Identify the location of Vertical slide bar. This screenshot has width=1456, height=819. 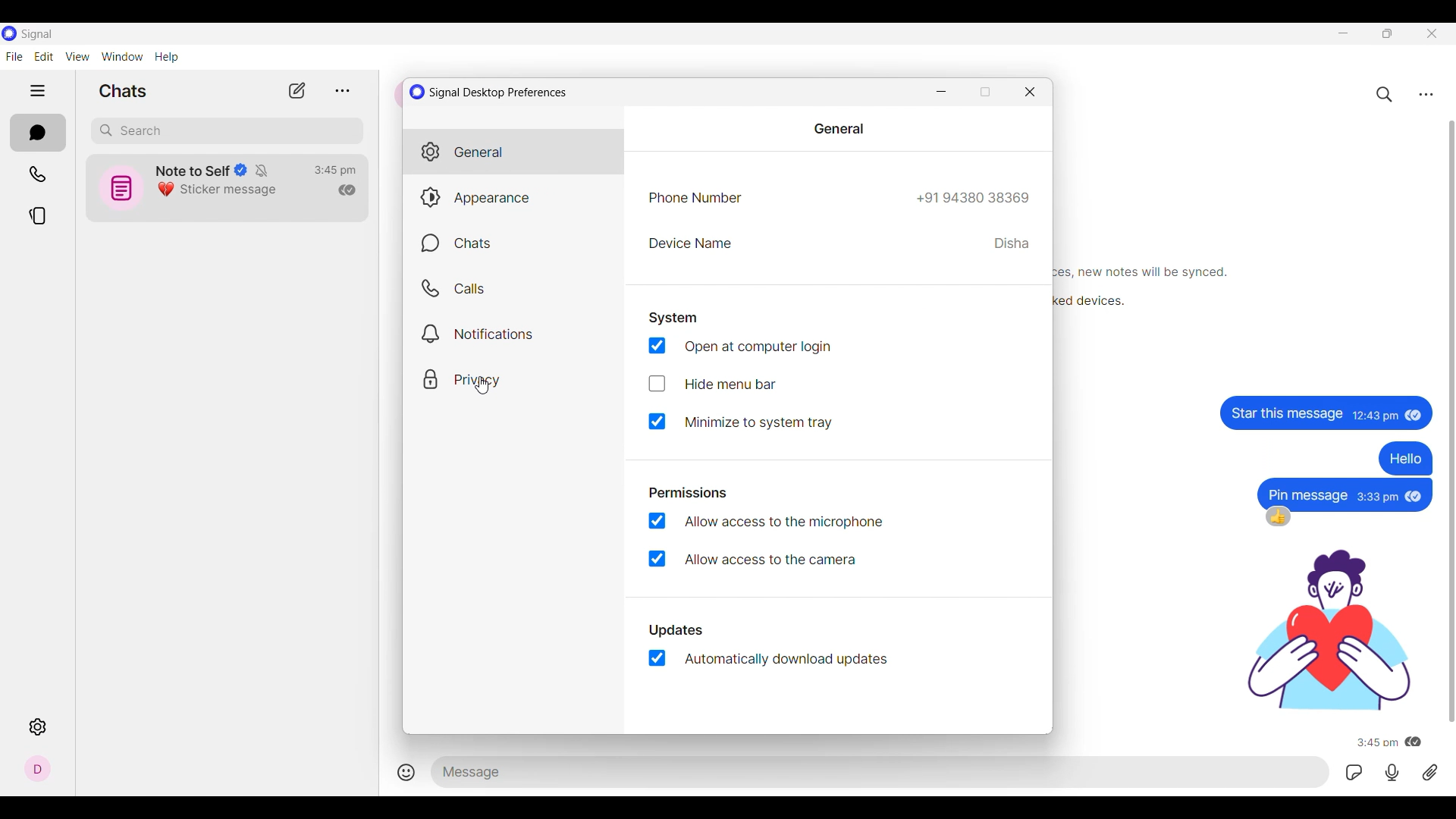
(1455, 420).